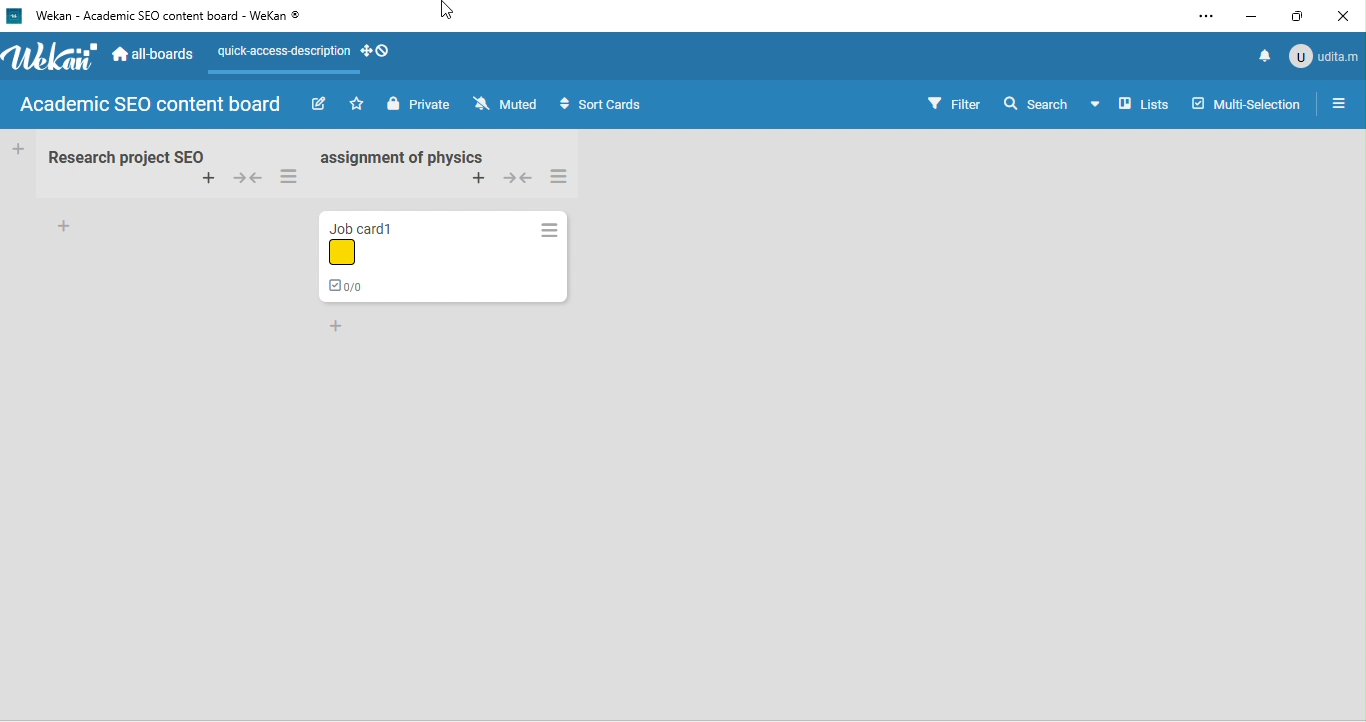 The width and height of the screenshot is (1366, 722). I want to click on label color, so click(343, 254).